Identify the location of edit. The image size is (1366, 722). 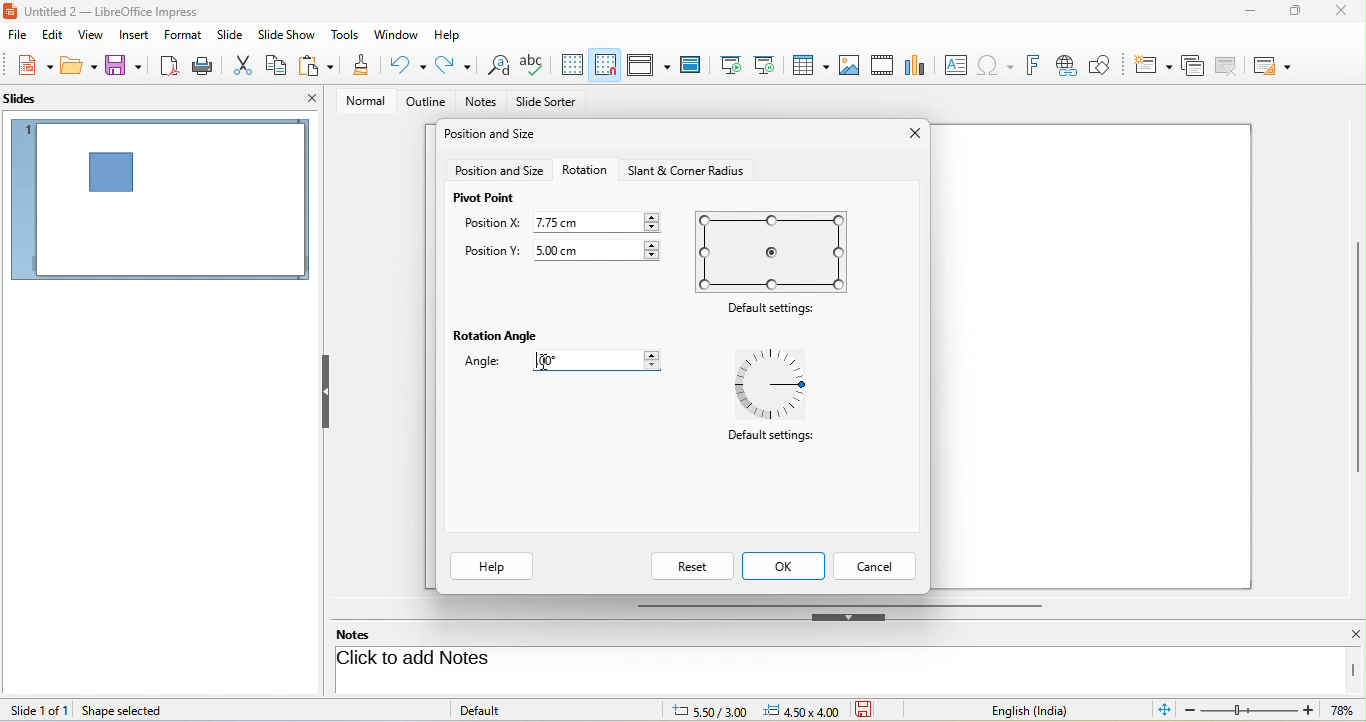
(51, 36).